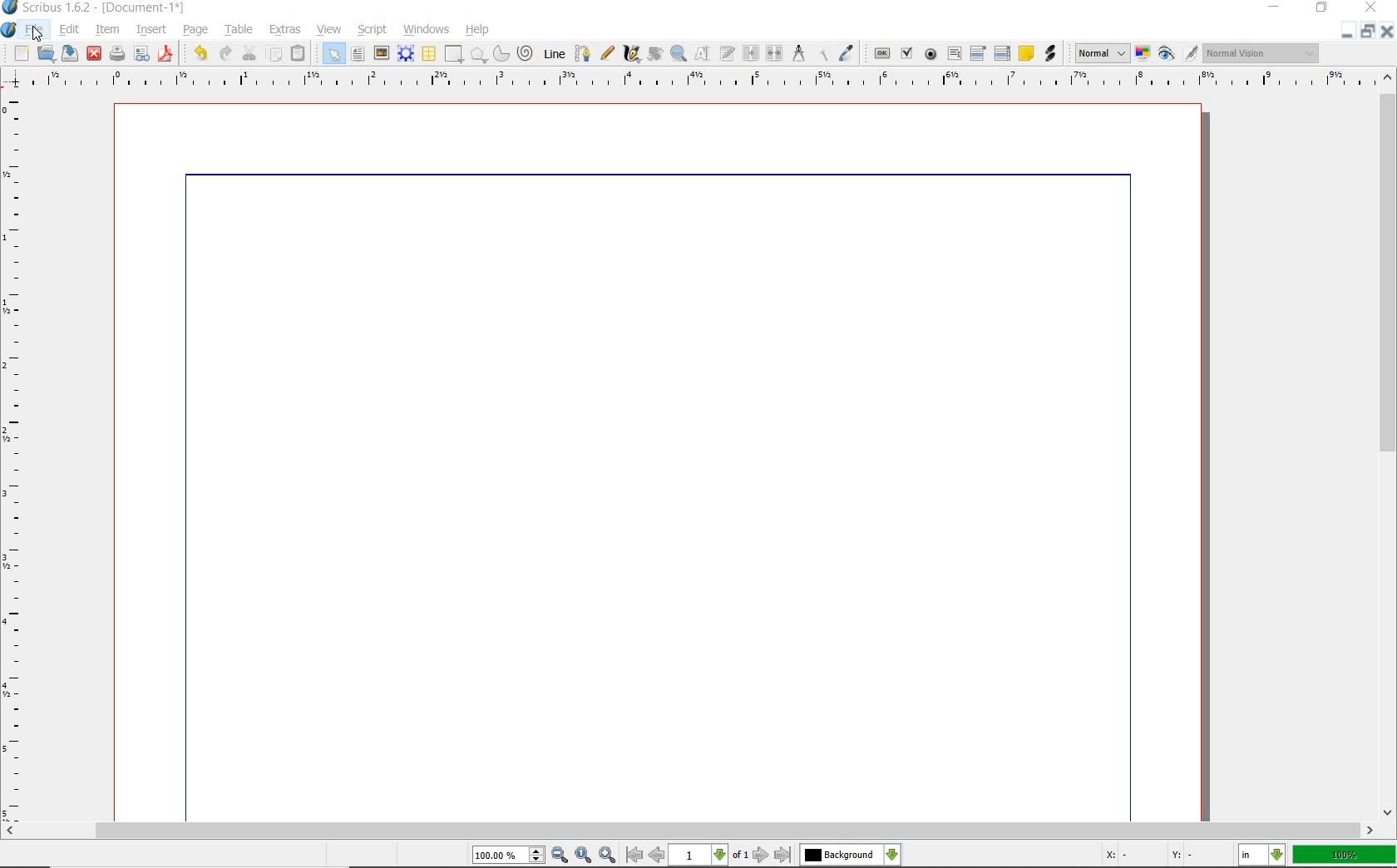 The width and height of the screenshot is (1397, 868). What do you see at coordinates (751, 54) in the screenshot?
I see `link text frames` at bounding box center [751, 54].